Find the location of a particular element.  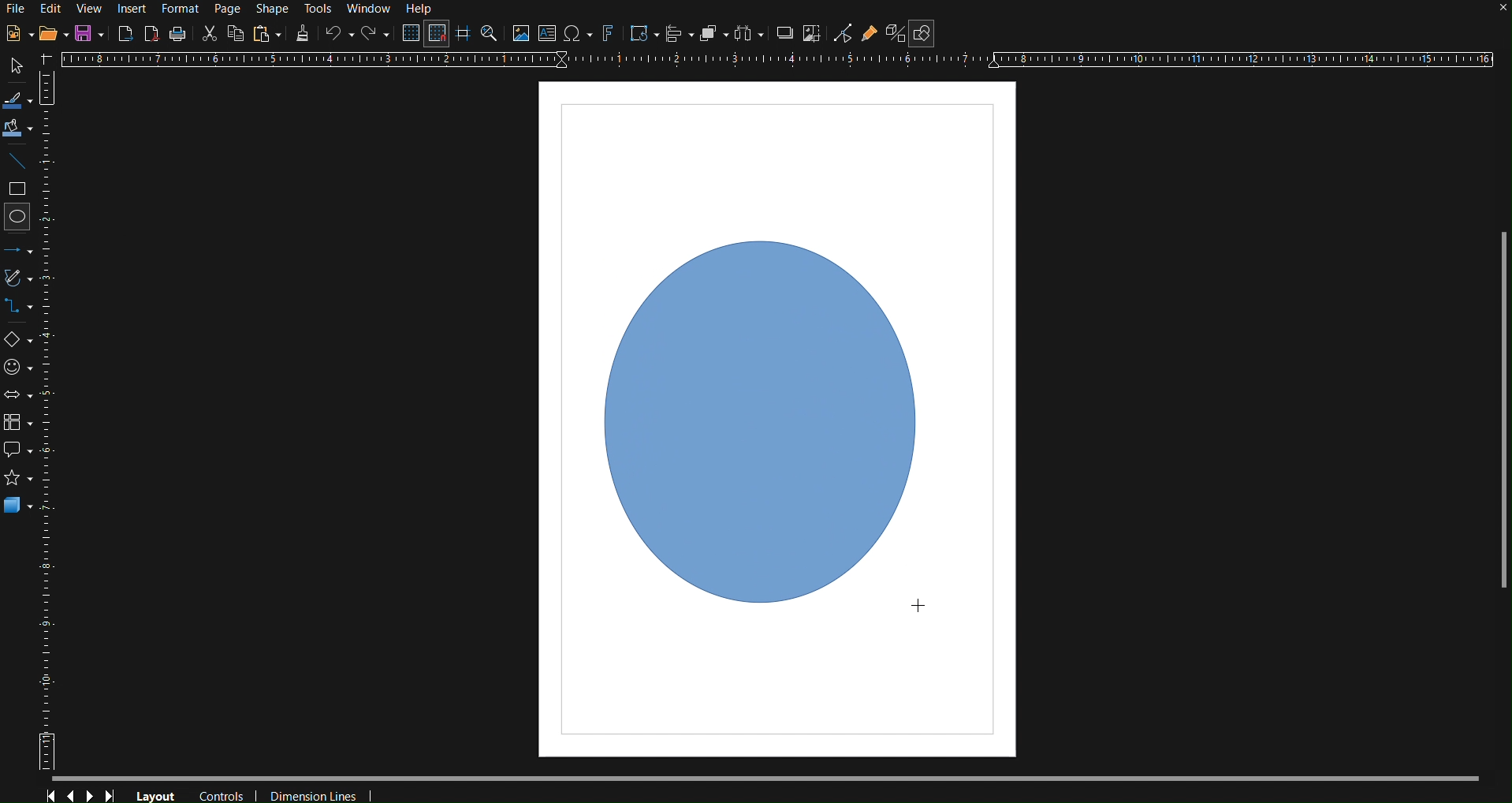

Zoom and Pan is located at coordinates (489, 35).